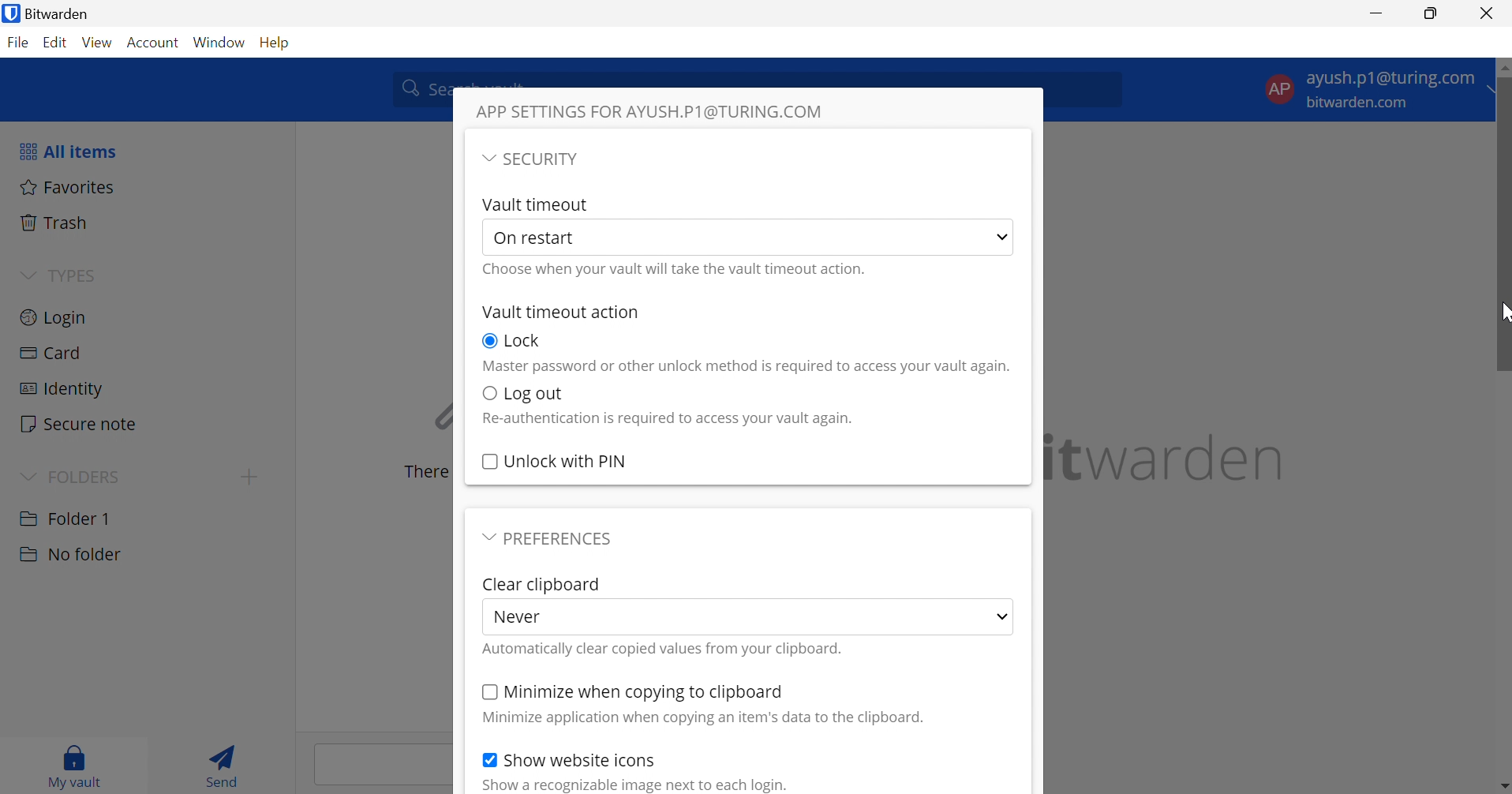  I want to click on There are no items to list., so click(422, 472).